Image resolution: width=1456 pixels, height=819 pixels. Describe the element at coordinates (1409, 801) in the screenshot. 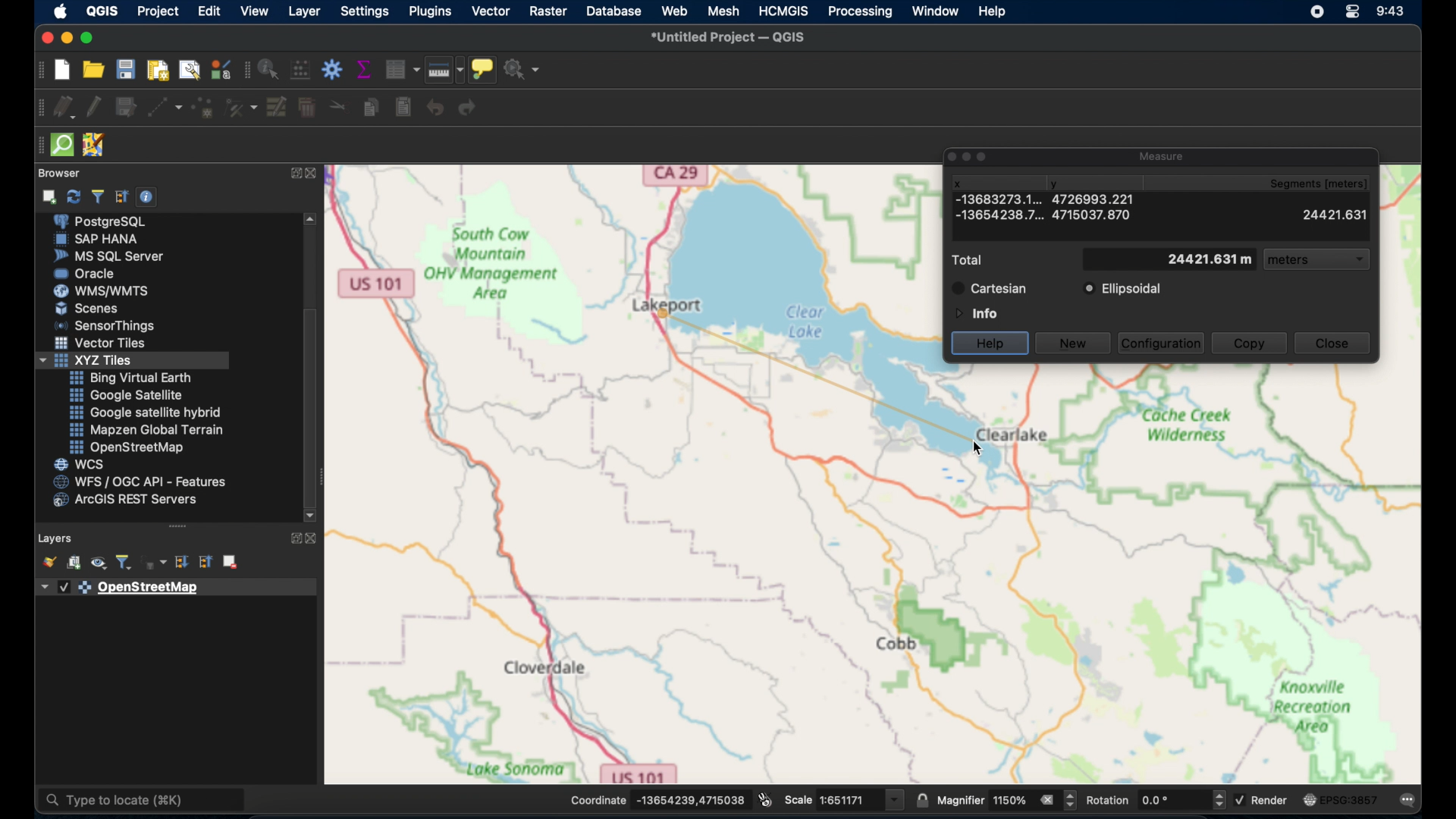

I see `messages` at that location.